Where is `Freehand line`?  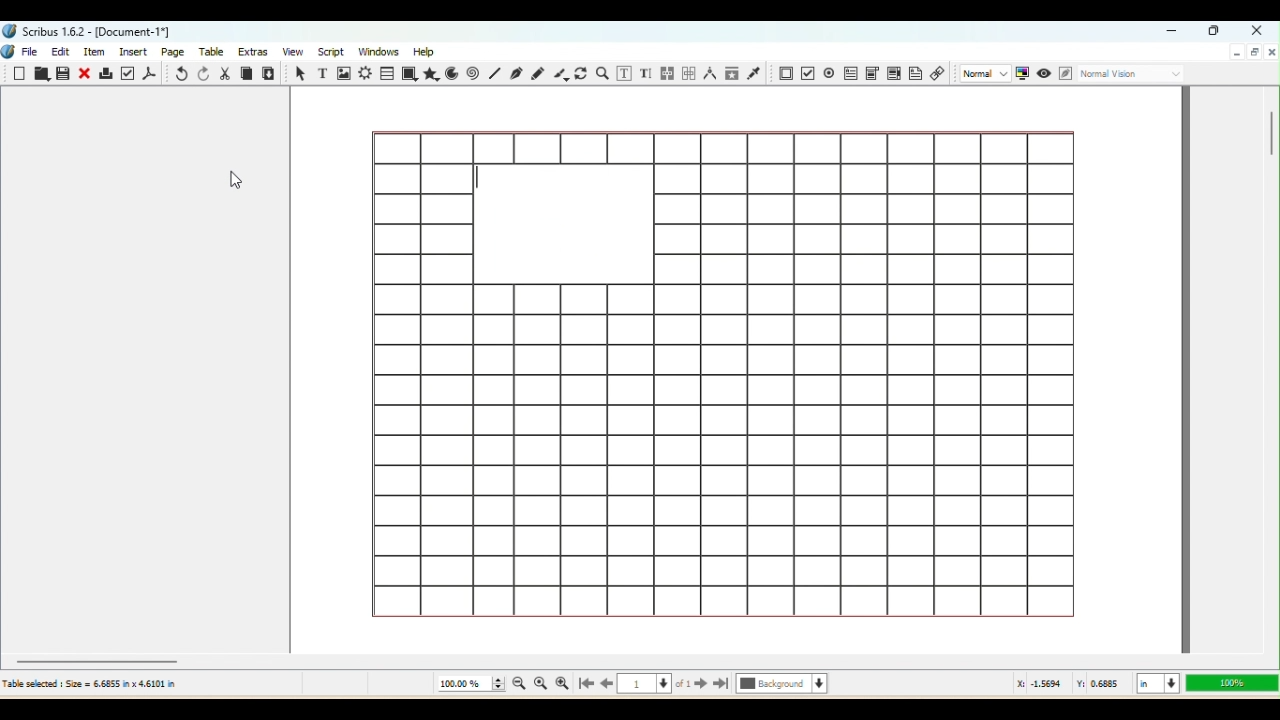
Freehand line is located at coordinates (537, 72).